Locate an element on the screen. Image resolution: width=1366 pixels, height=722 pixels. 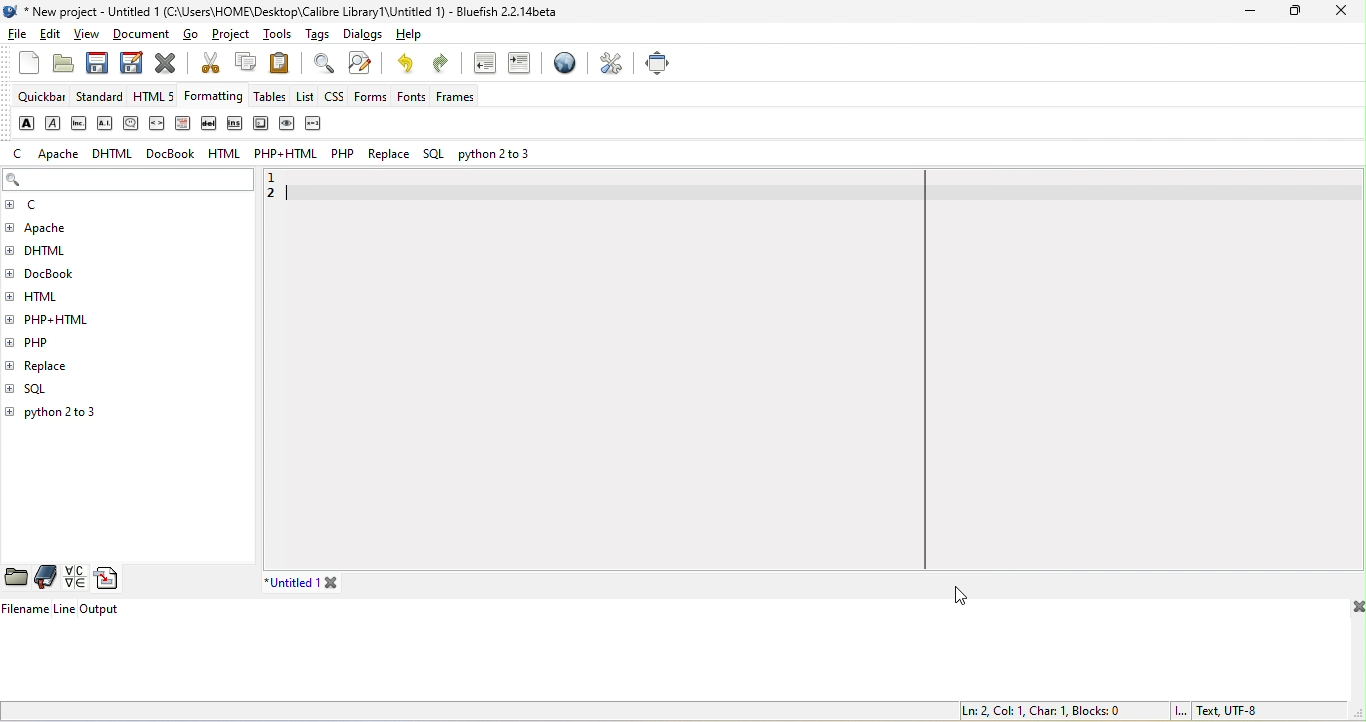
browser is located at coordinates (562, 67).